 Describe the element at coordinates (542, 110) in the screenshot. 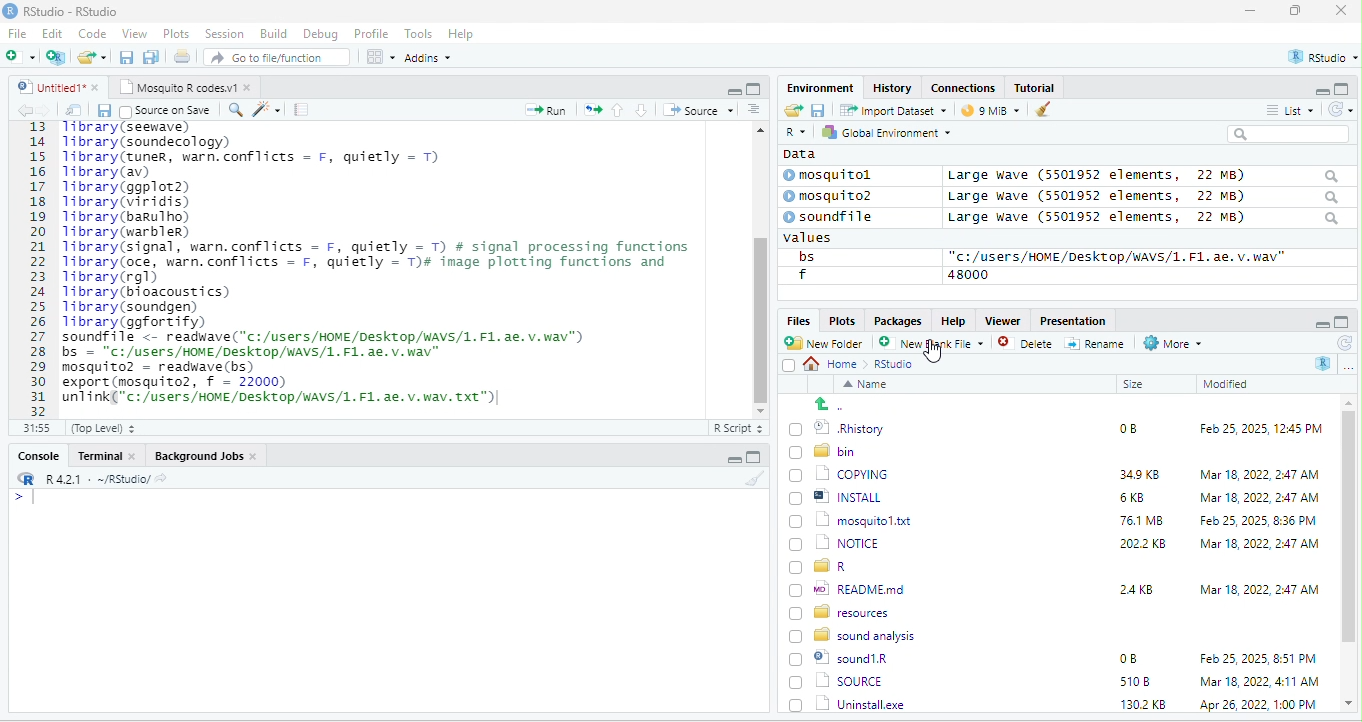

I see `Run` at that location.